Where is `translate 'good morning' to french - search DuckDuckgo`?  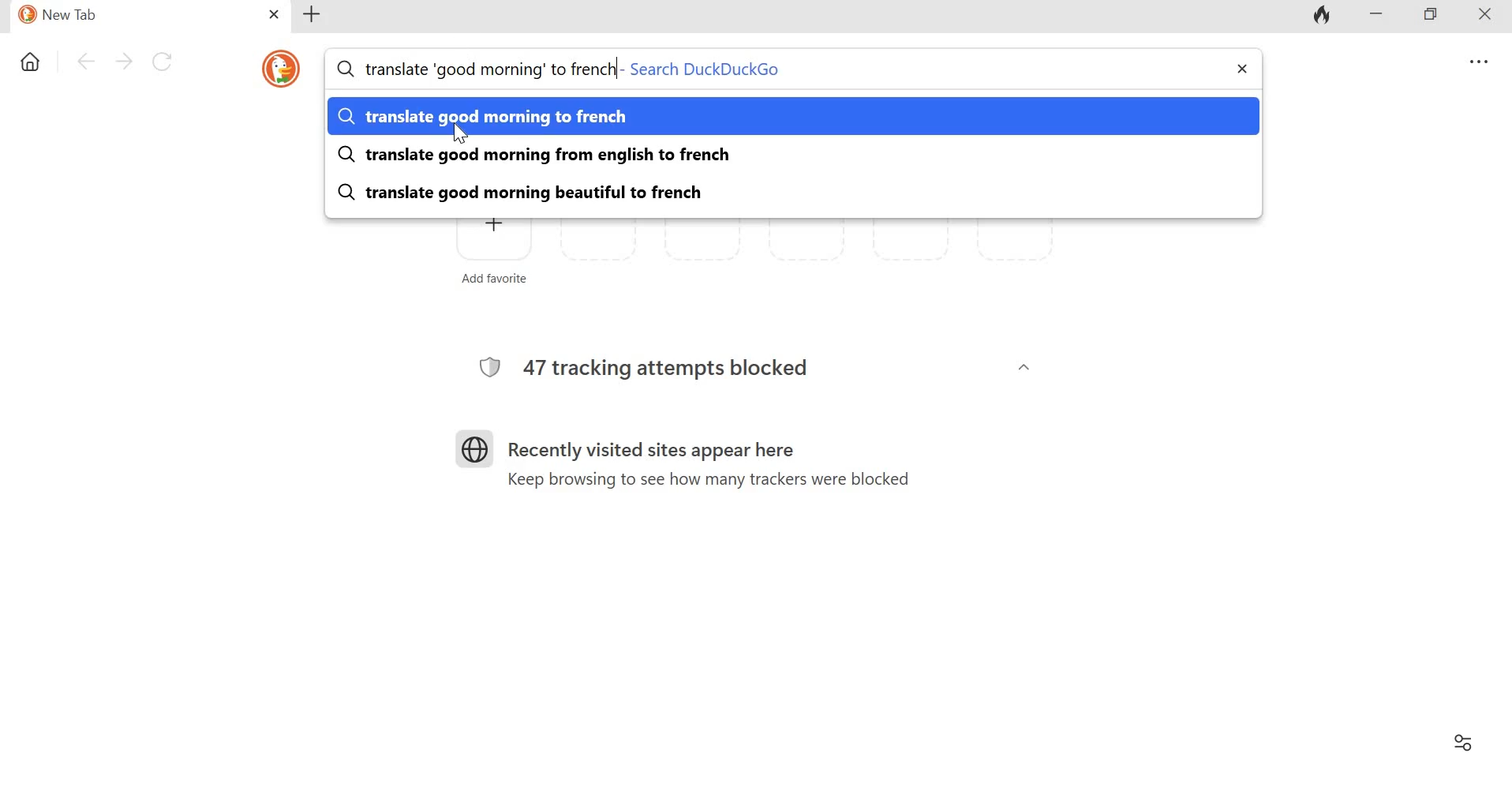 translate 'good morning' to french - search DuckDuckgo is located at coordinates (574, 69).